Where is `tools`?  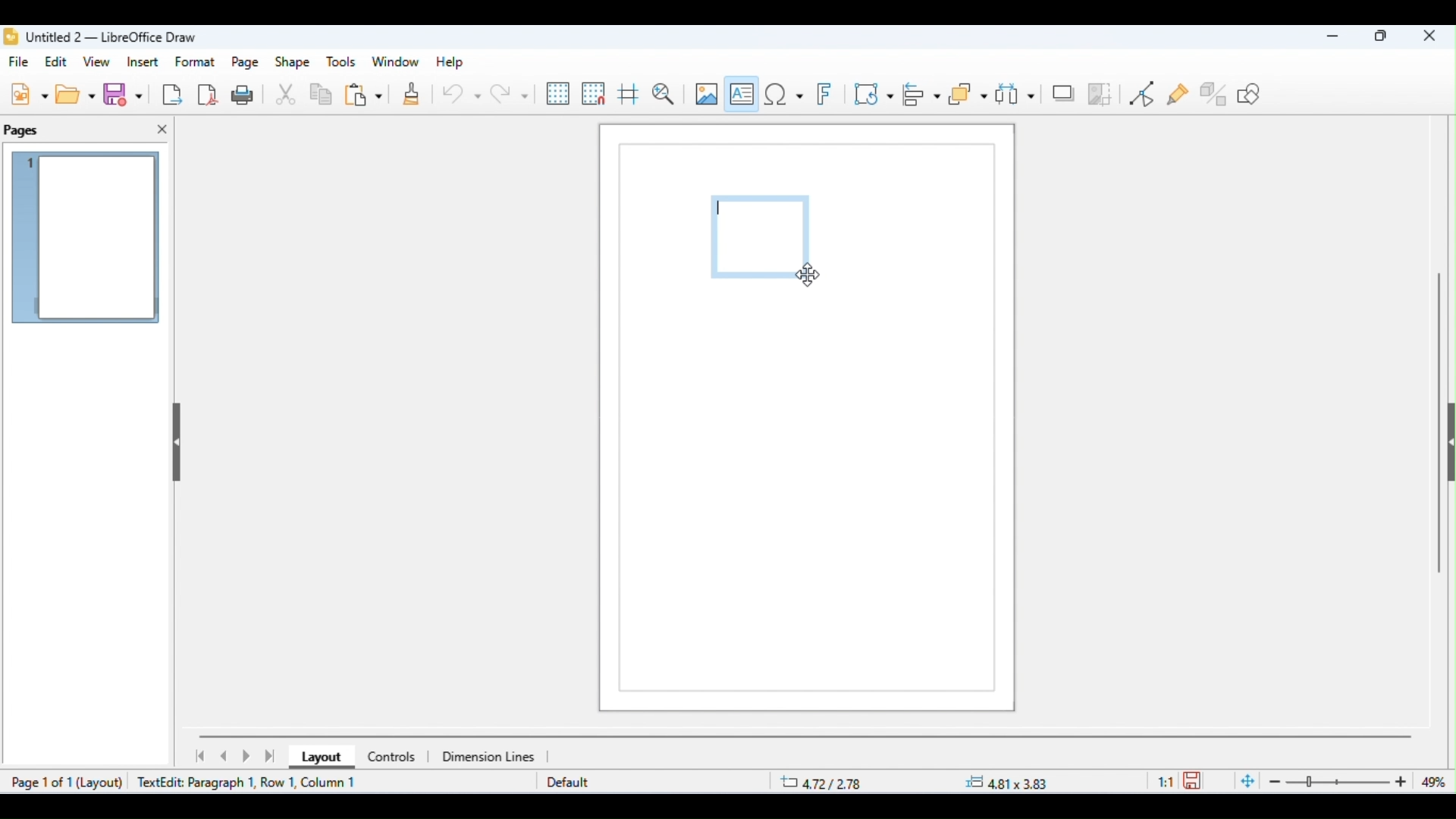
tools is located at coordinates (341, 62).